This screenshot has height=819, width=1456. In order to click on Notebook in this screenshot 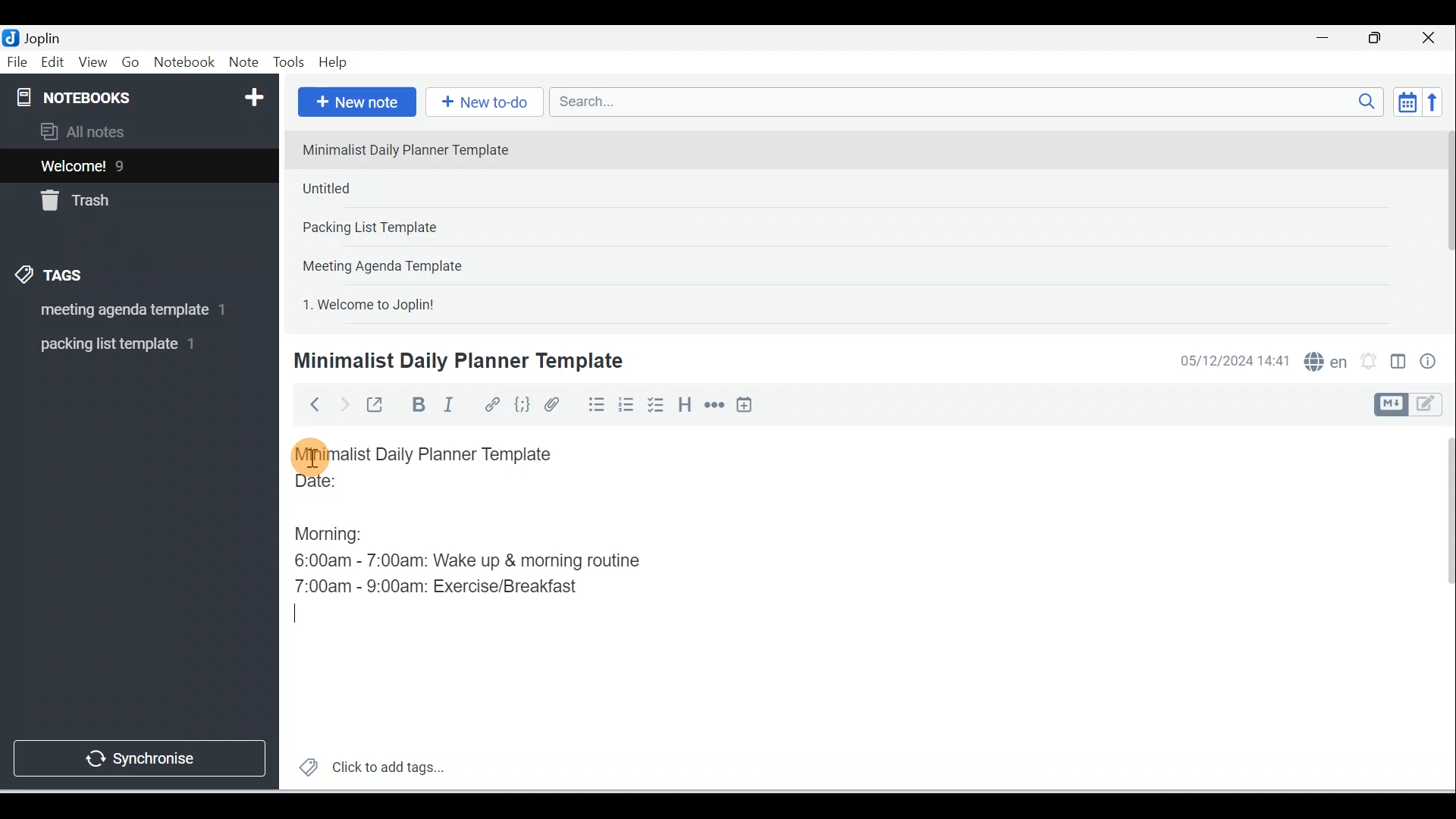, I will do `click(184, 63)`.